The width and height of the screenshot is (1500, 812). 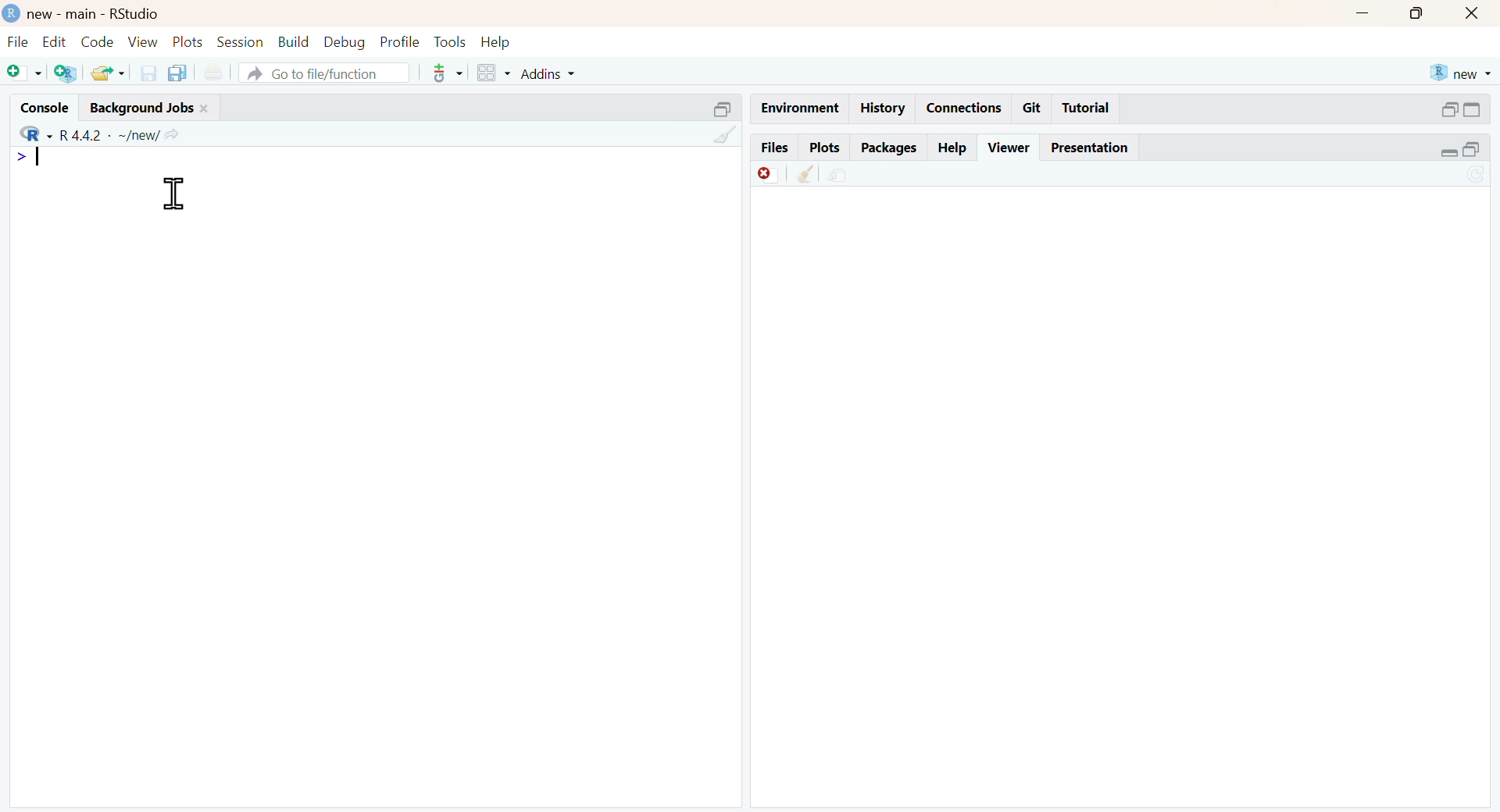 I want to click on enviornment, so click(x=802, y=109).